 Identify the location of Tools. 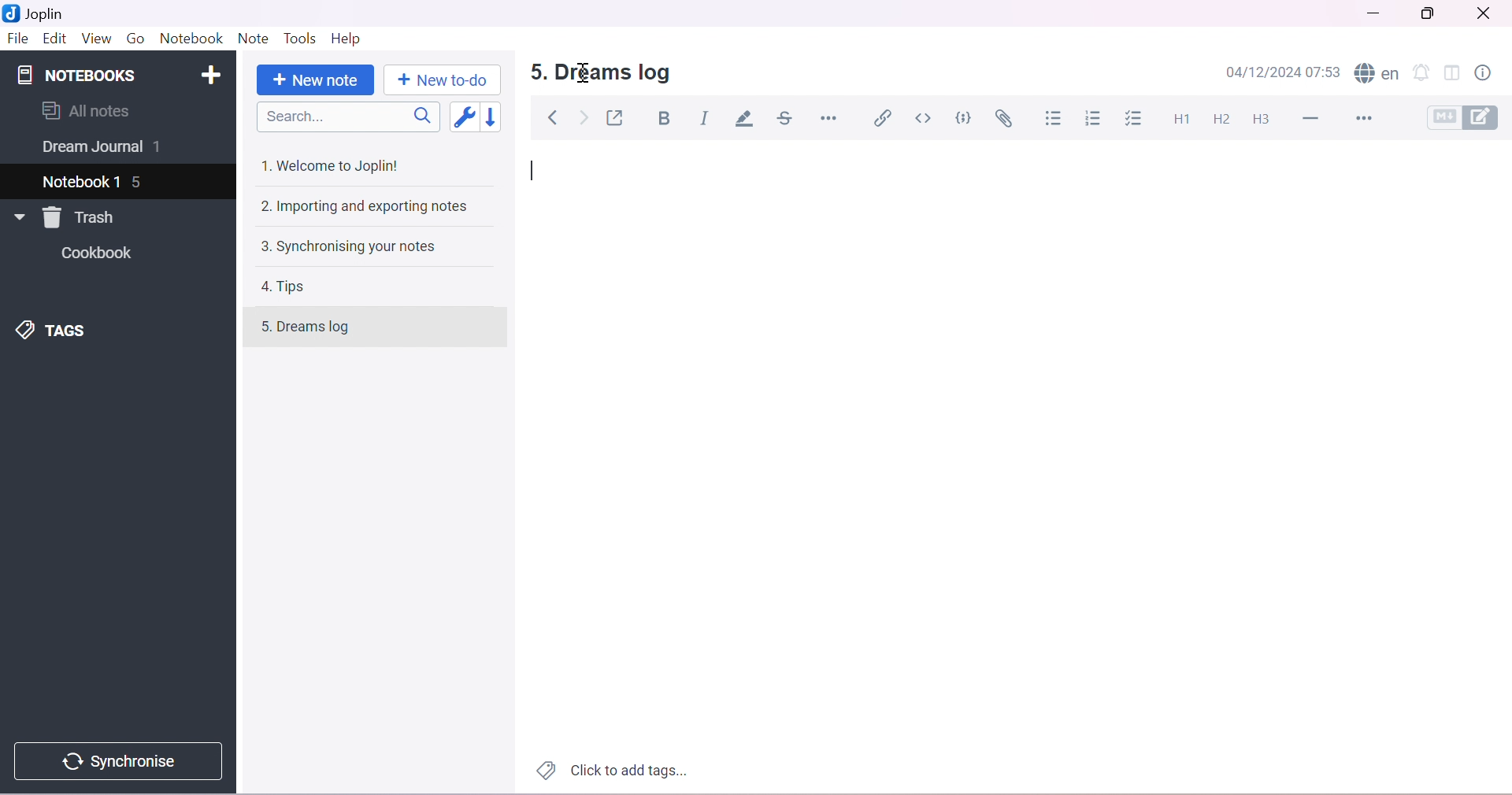
(302, 39).